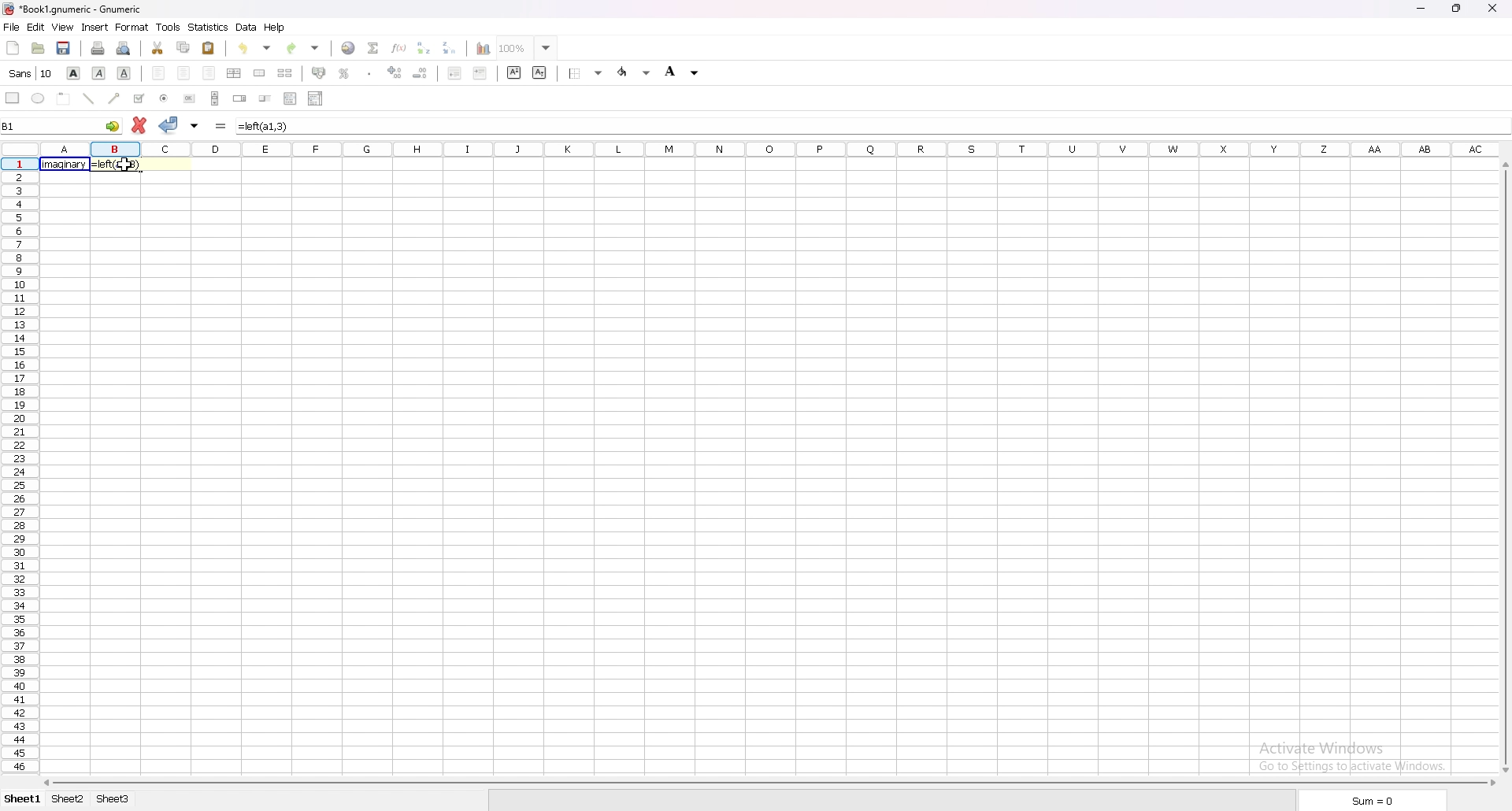  I want to click on scroll bar, so click(216, 98).